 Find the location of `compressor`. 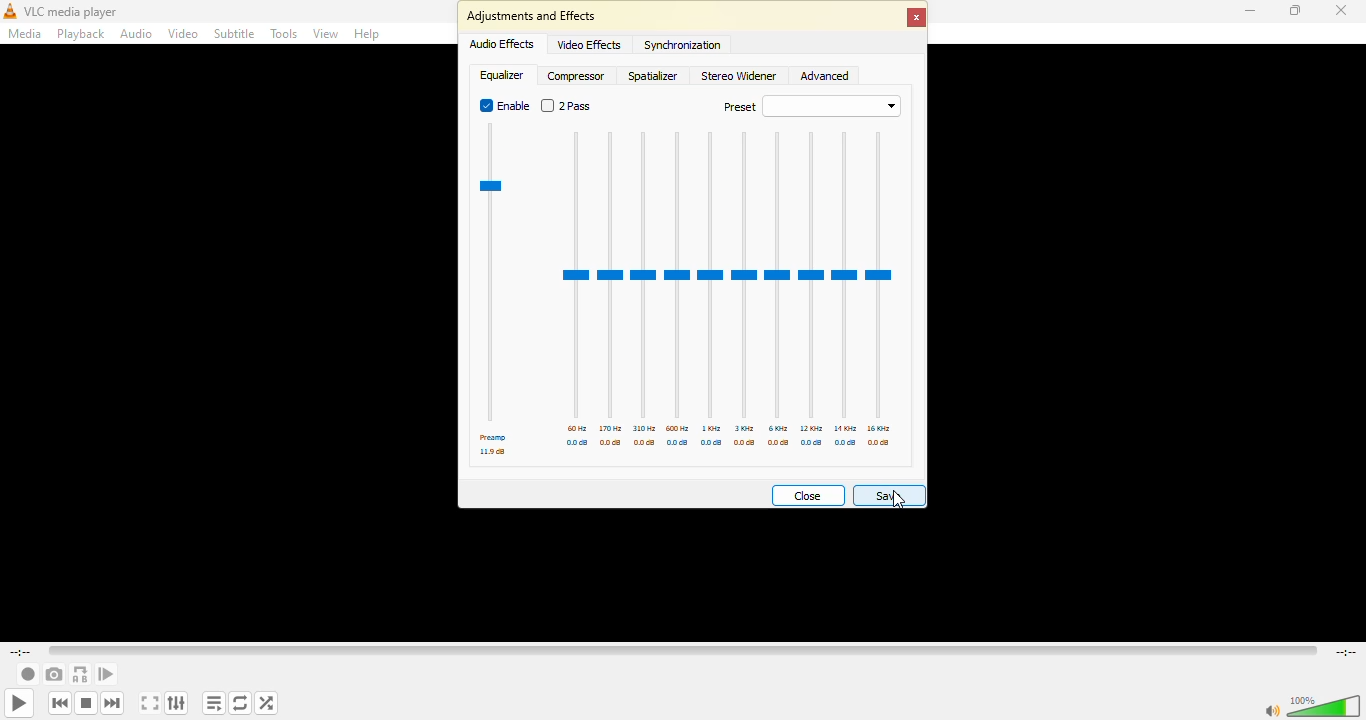

compressor is located at coordinates (578, 76).